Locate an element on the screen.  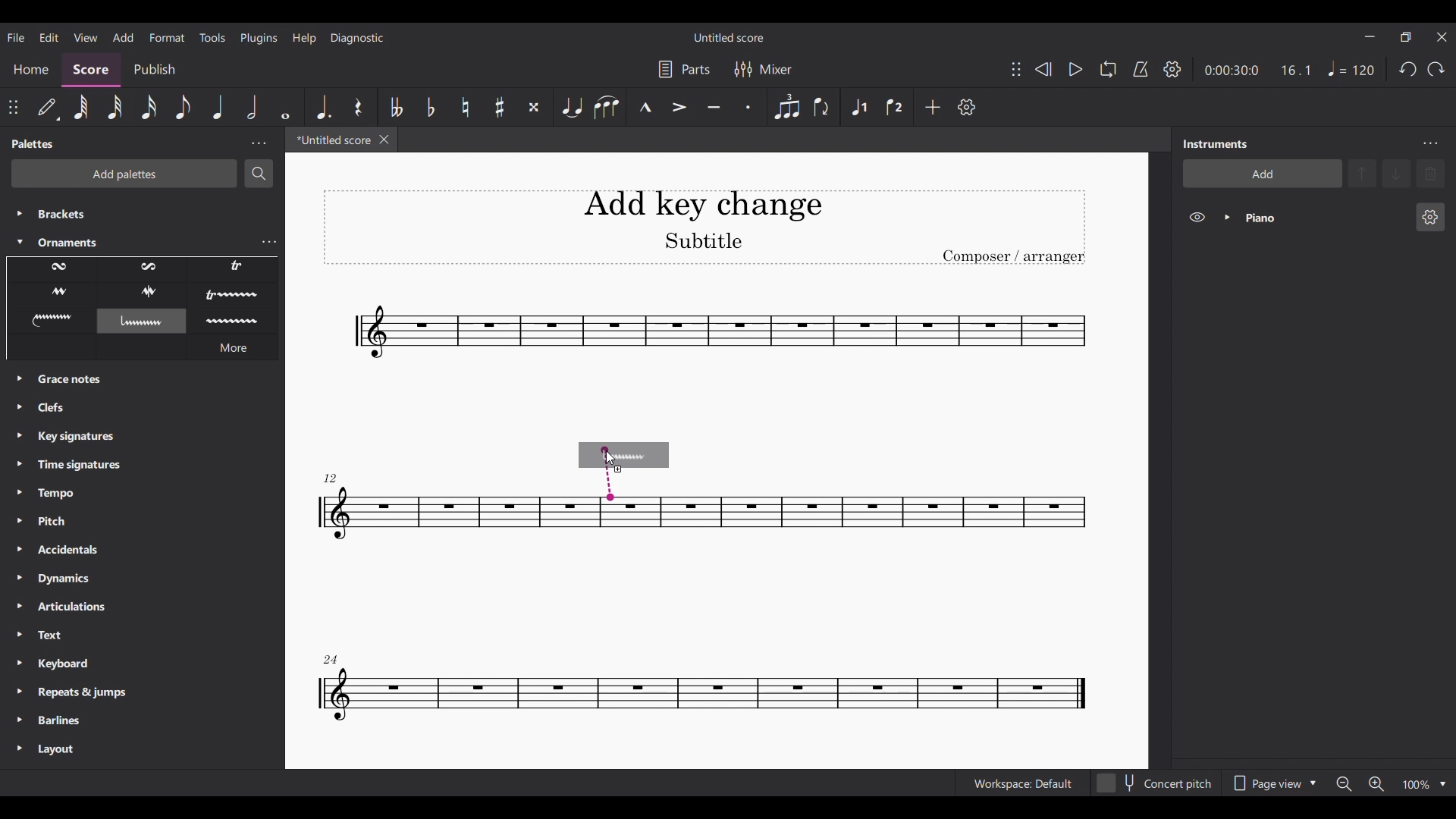
Tools menu is located at coordinates (212, 37).